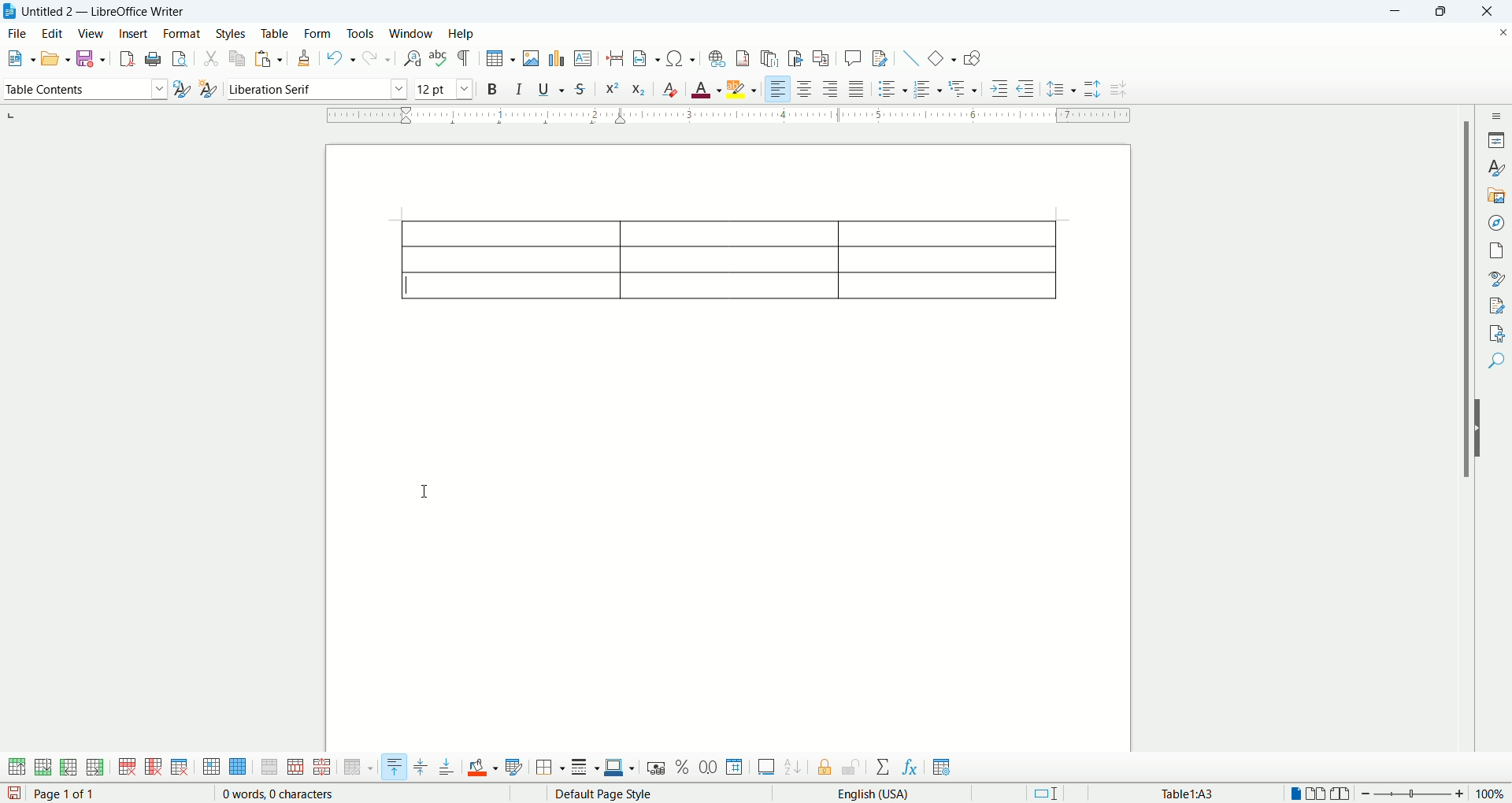  What do you see at coordinates (1494, 279) in the screenshot?
I see `style police` at bounding box center [1494, 279].